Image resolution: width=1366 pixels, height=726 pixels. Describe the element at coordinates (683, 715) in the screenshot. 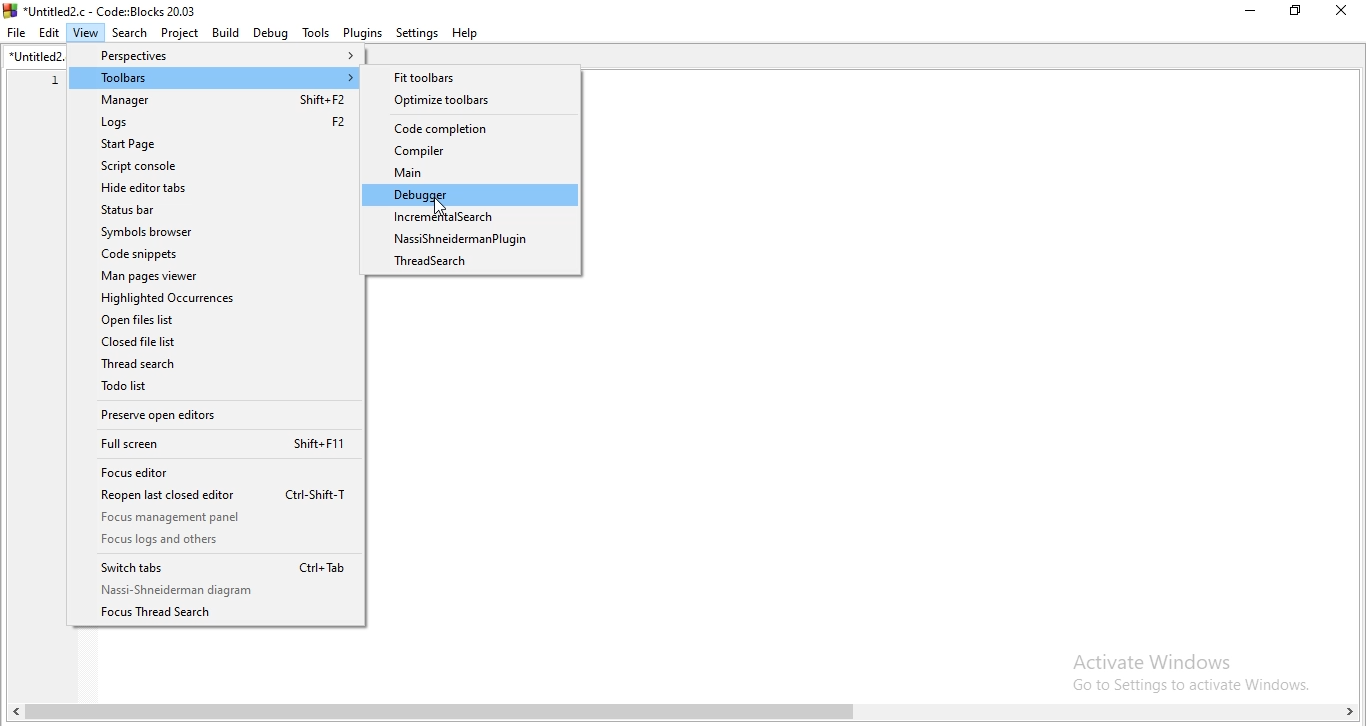

I see `scroll bar` at that location.